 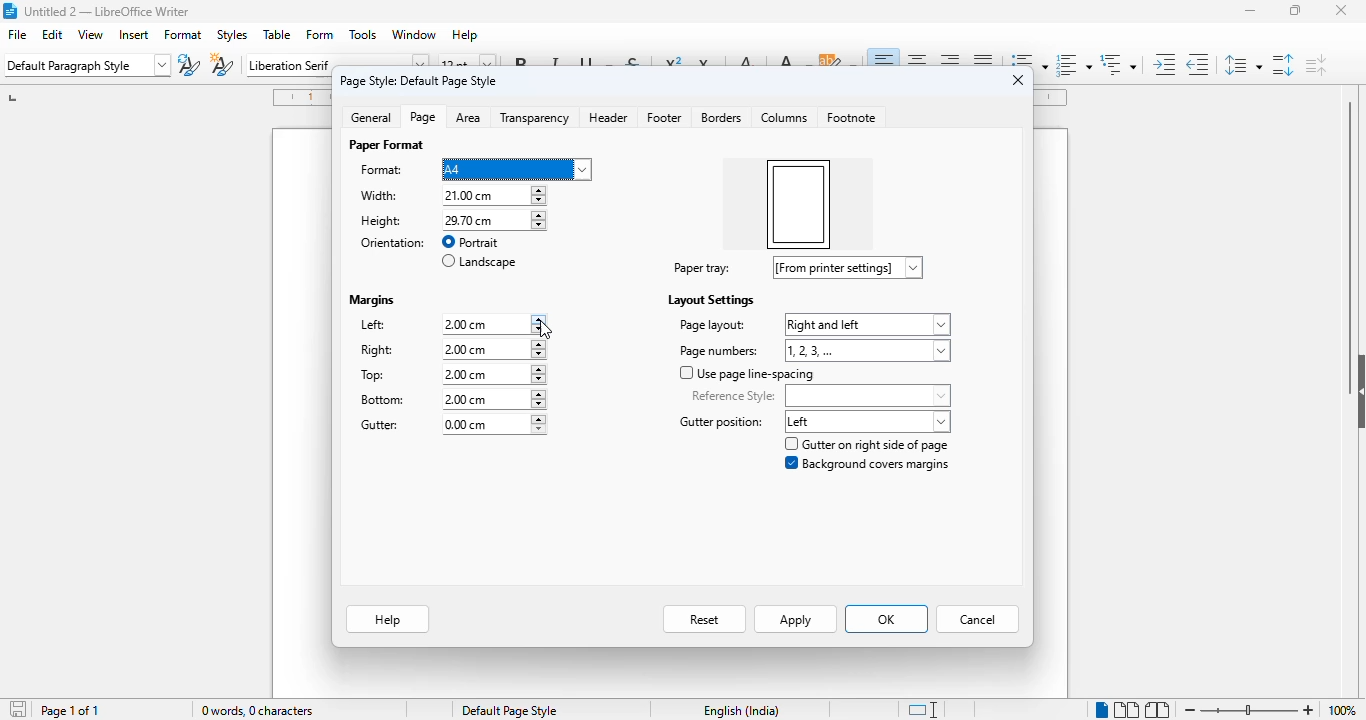 What do you see at coordinates (372, 375) in the screenshot?
I see `top: ` at bounding box center [372, 375].